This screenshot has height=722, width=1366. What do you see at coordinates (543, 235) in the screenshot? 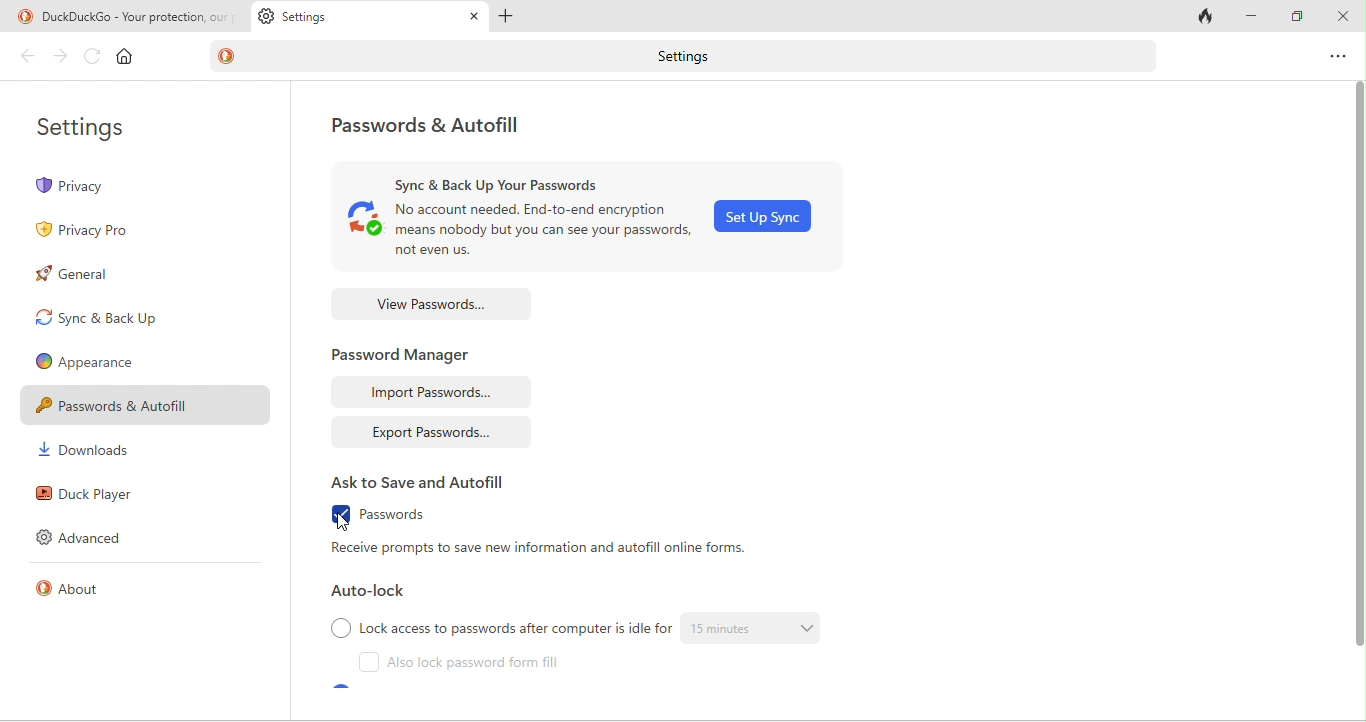
I see `No account needed. End-to-end encryption means nobody but you can see your passwords ,not even us.` at bounding box center [543, 235].